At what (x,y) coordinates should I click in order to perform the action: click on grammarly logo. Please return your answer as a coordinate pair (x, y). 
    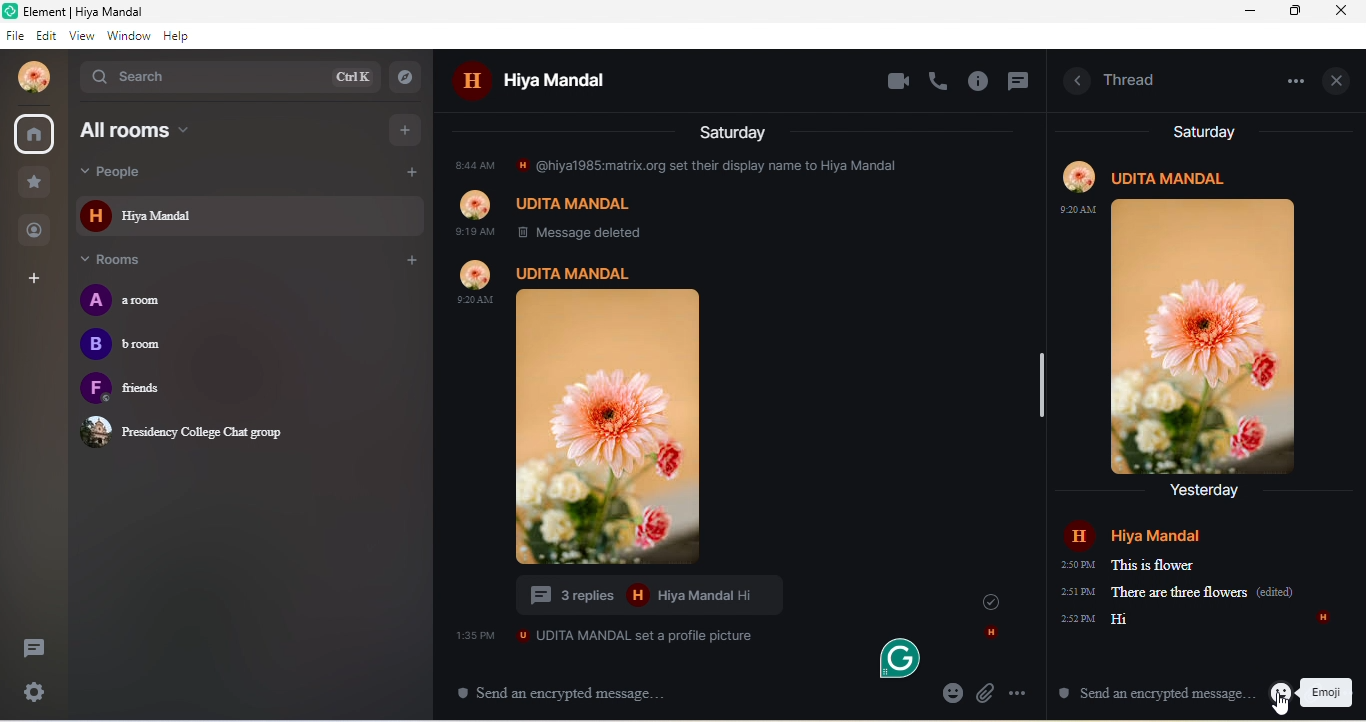
    Looking at the image, I should click on (895, 659).